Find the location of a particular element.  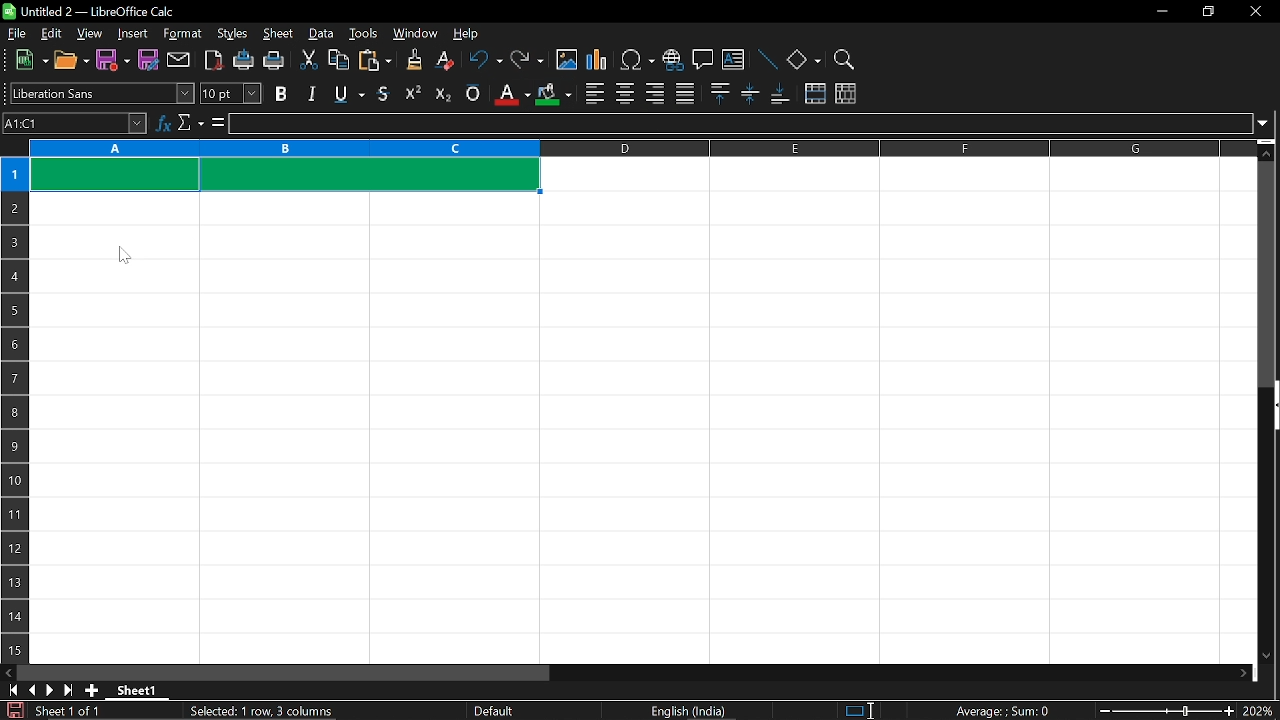

view is located at coordinates (88, 34).